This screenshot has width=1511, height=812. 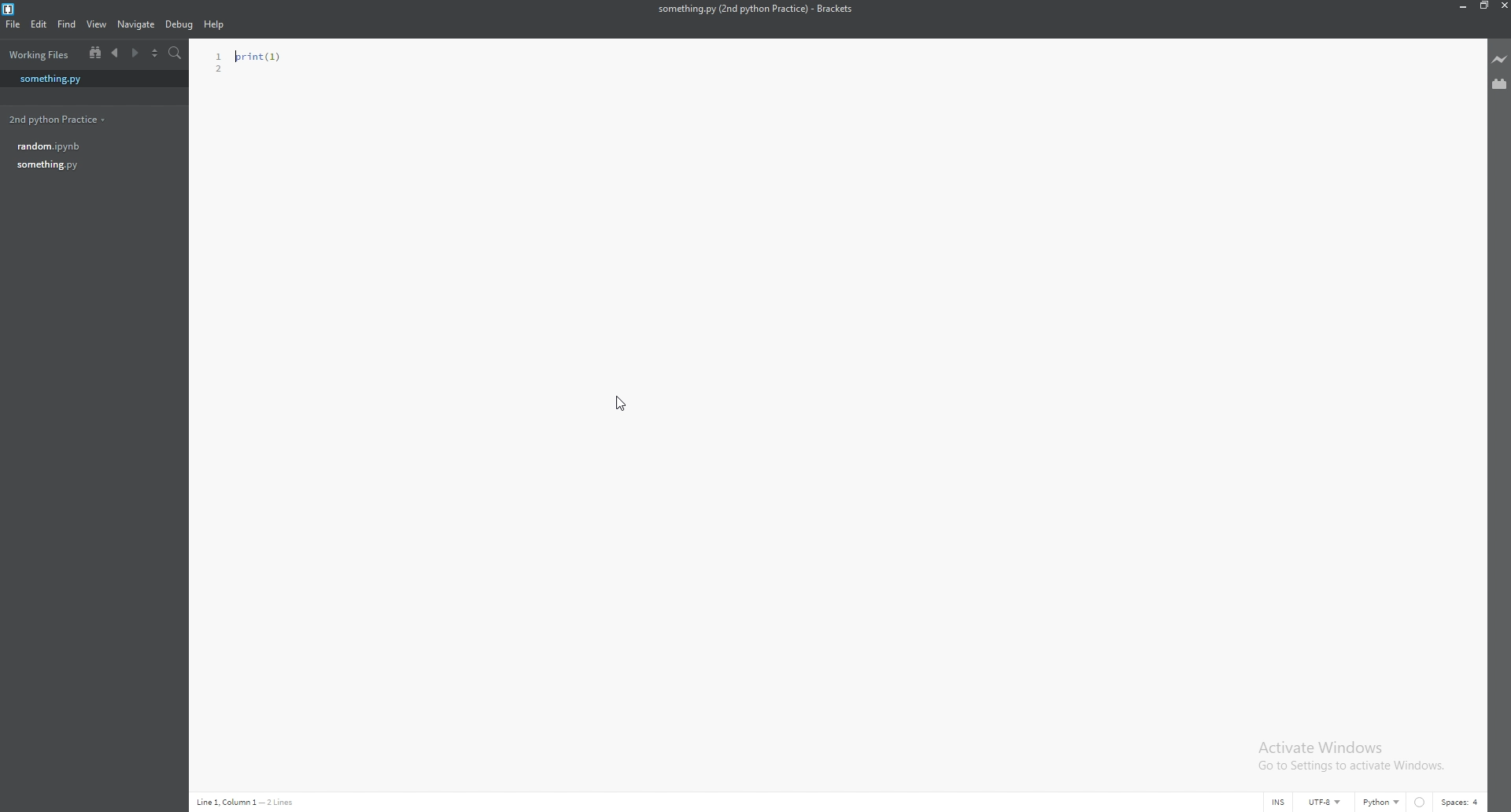 What do you see at coordinates (117, 53) in the screenshot?
I see `previous` at bounding box center [117, 53].